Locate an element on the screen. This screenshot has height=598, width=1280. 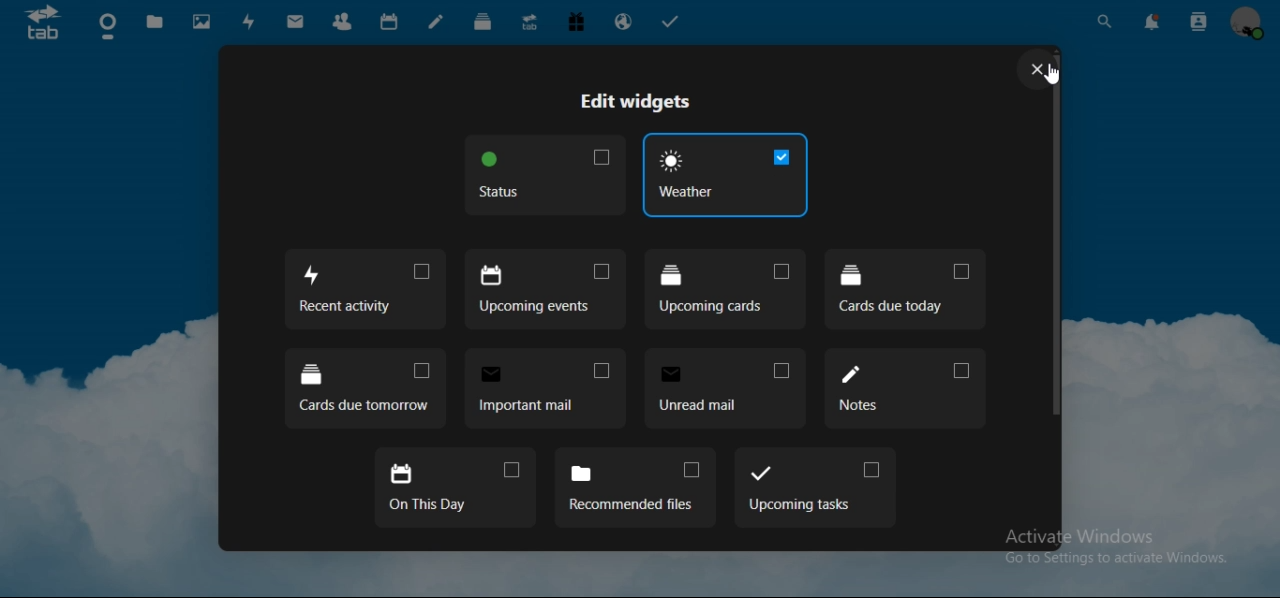
upcoming tasks is located at coordinates (812, 486).